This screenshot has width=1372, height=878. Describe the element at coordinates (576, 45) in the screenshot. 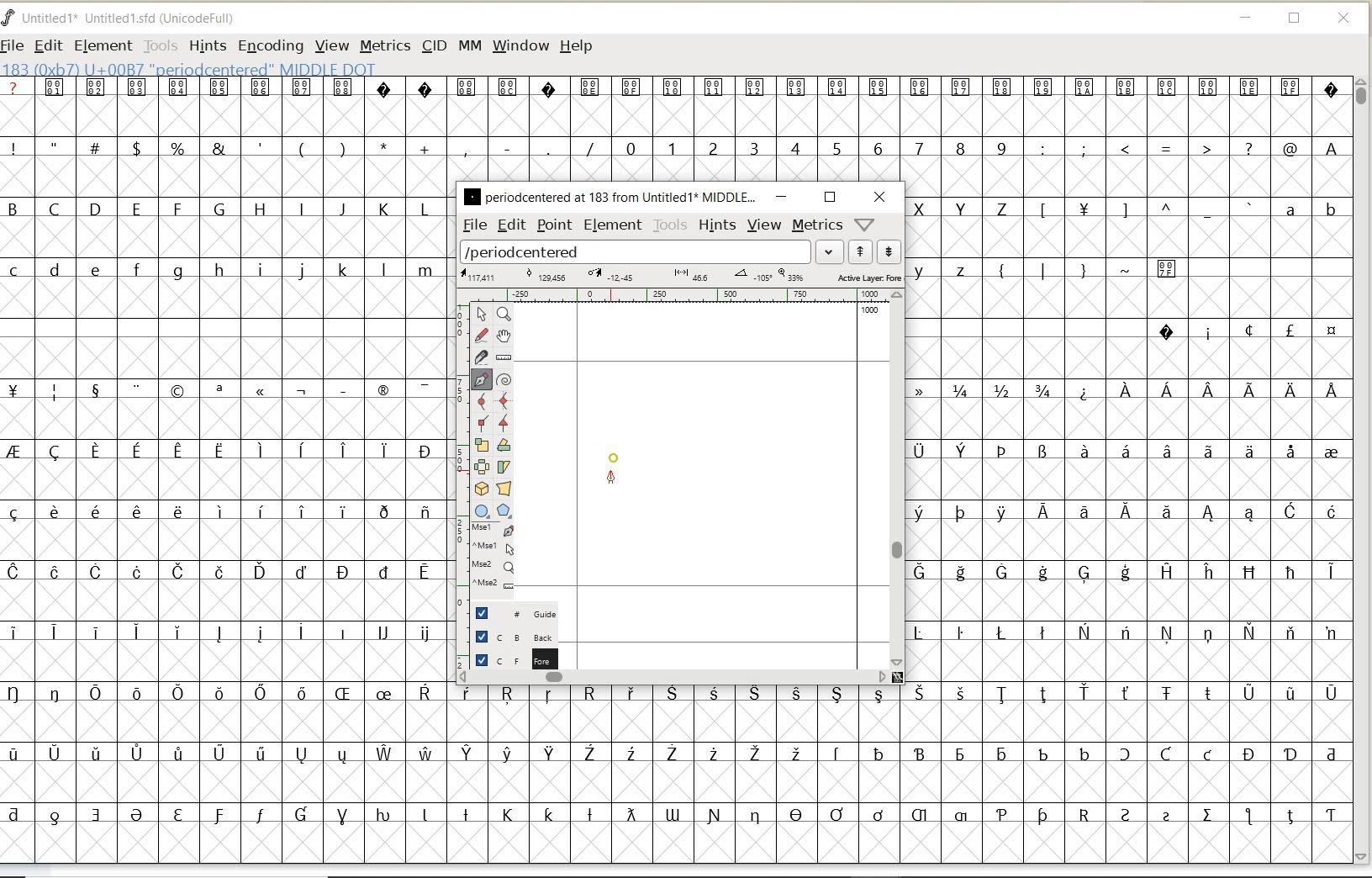

I see `HELP` at that location.